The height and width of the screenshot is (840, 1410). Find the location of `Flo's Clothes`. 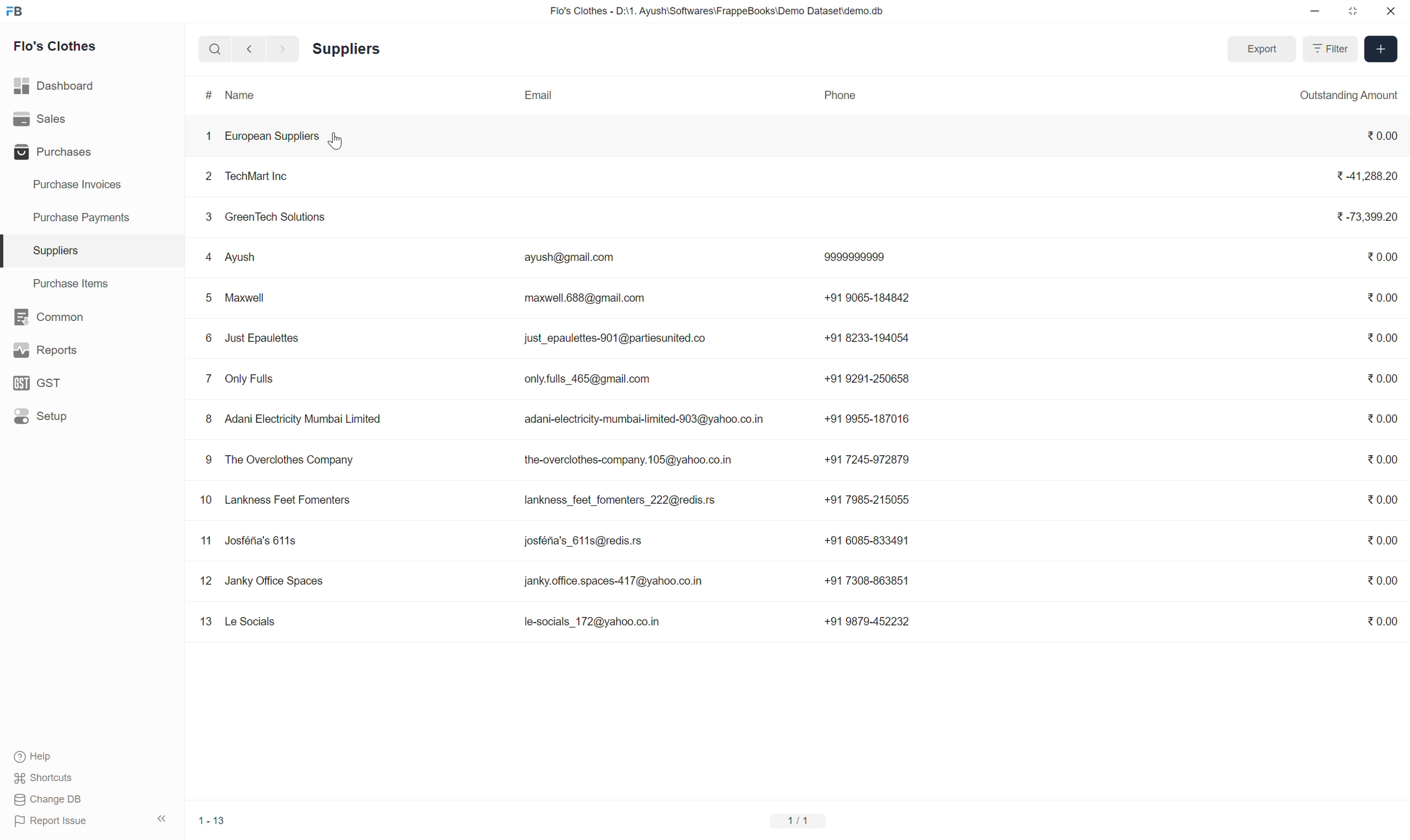

Flo's Clothes is located at coordinates (53, 46).